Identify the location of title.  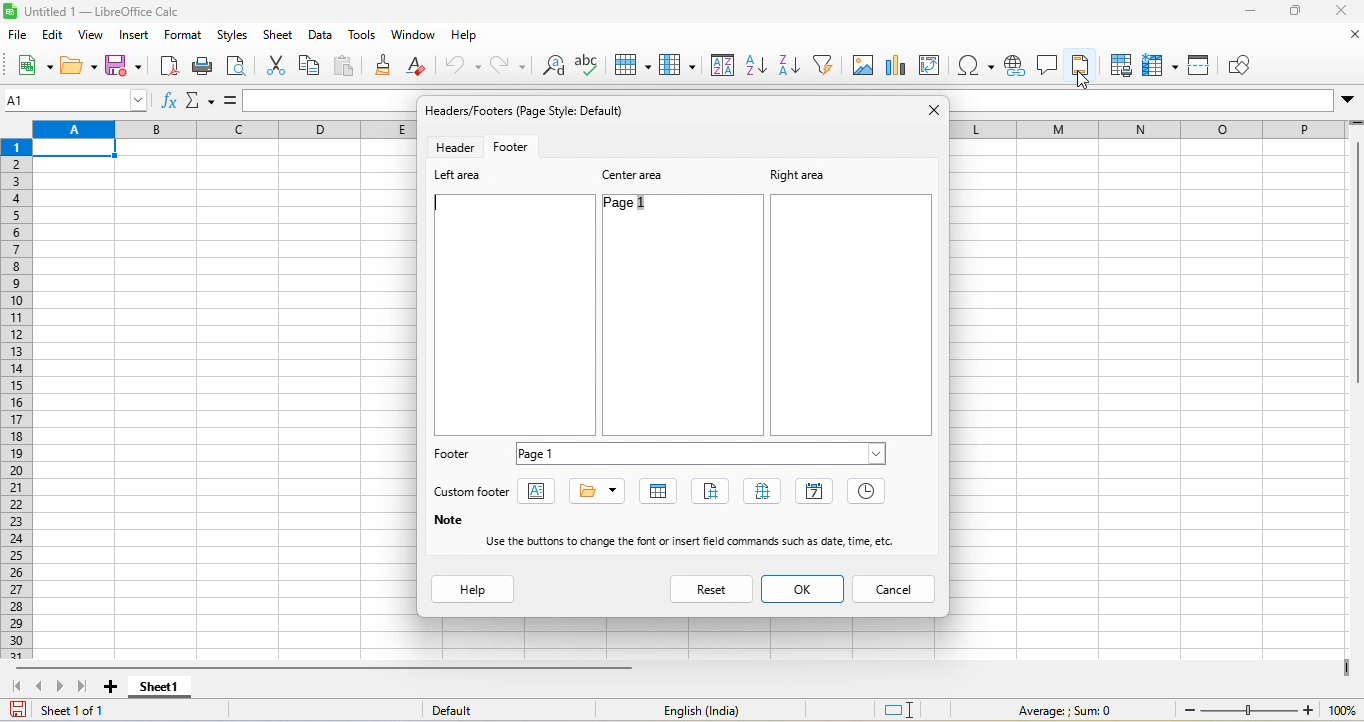
(105, 14).